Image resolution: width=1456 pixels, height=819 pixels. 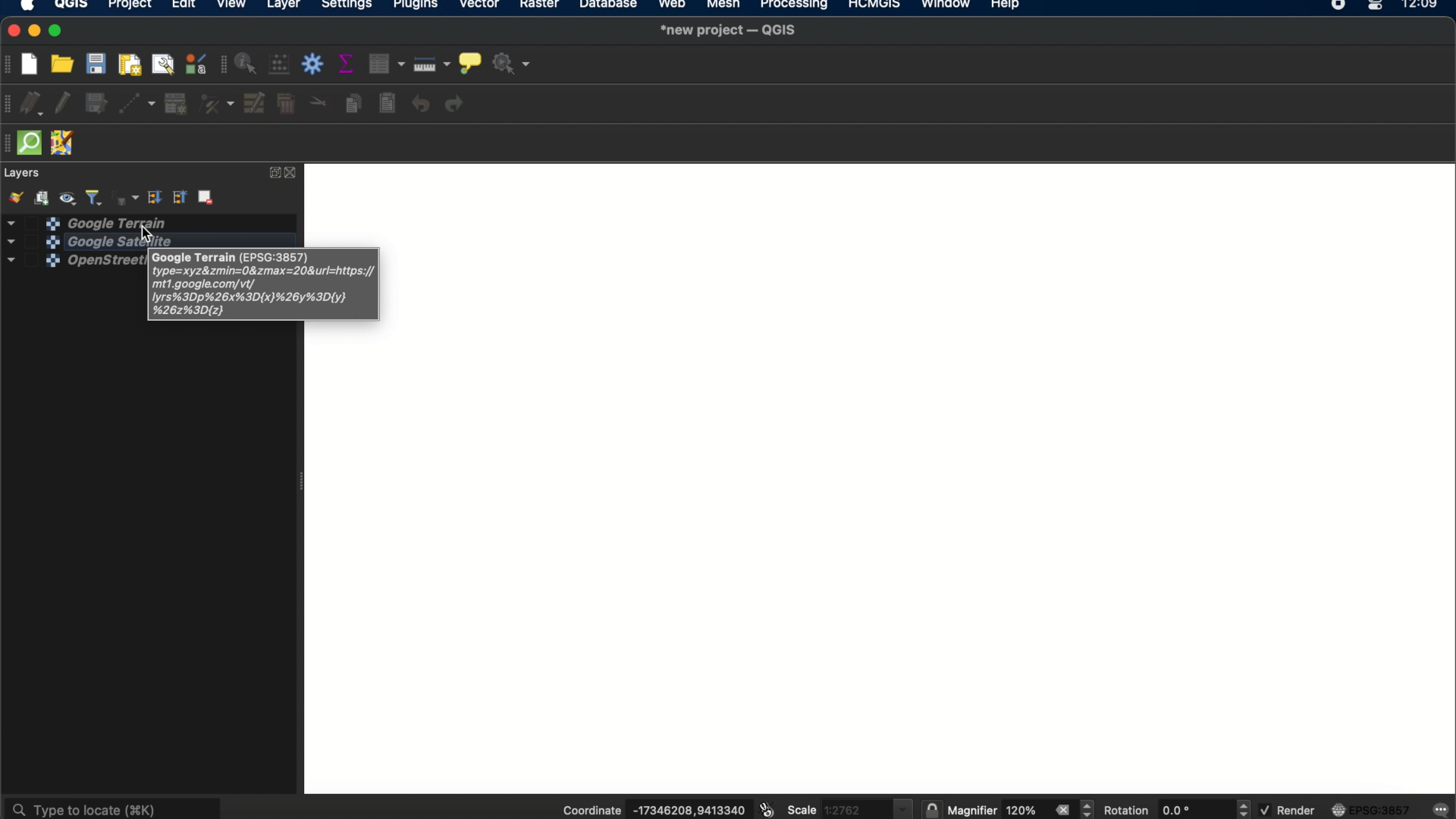 I want to click on identify features, so click(x=248, y=64).